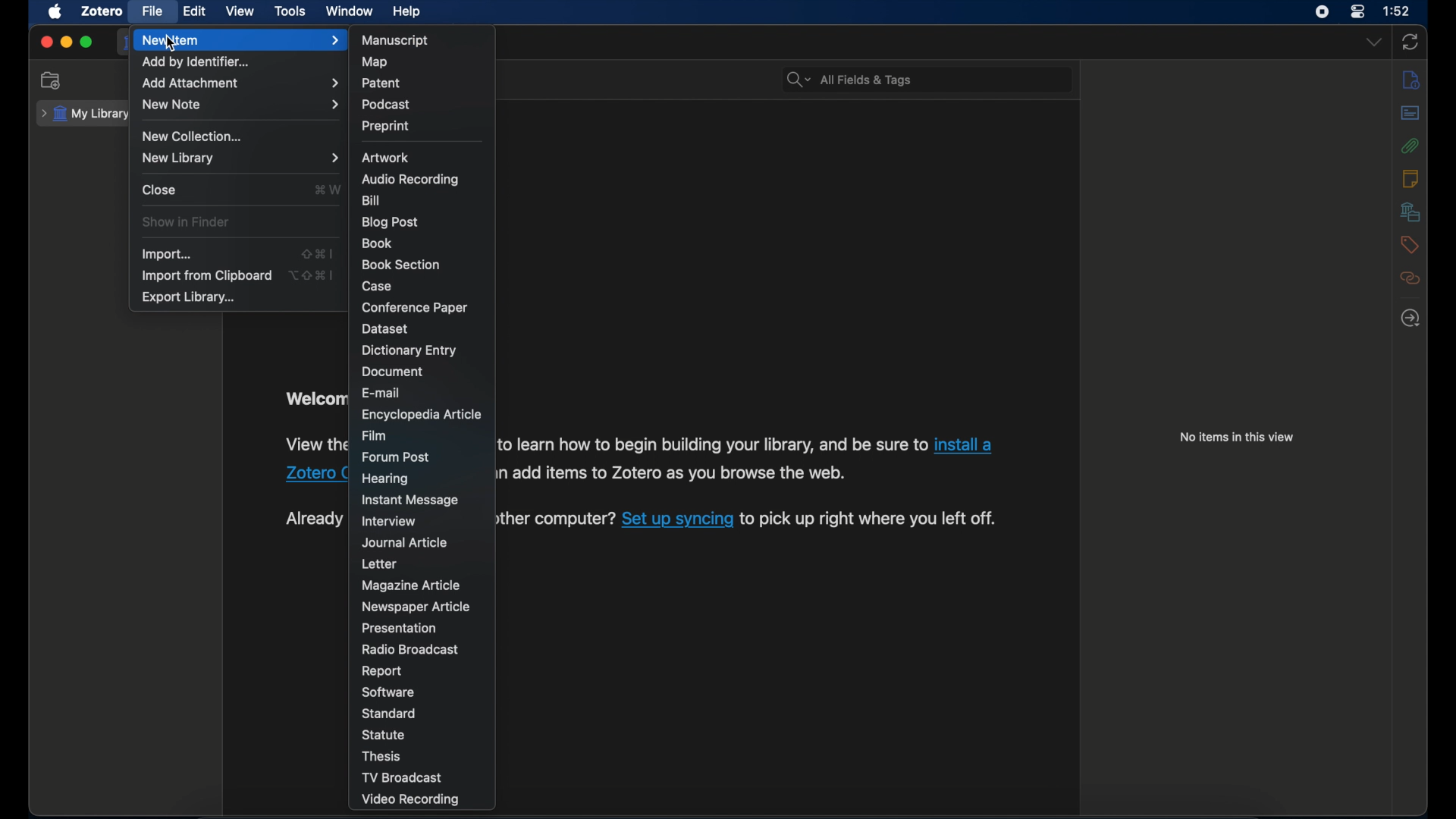  I want to click on patent, so click(381, 82).